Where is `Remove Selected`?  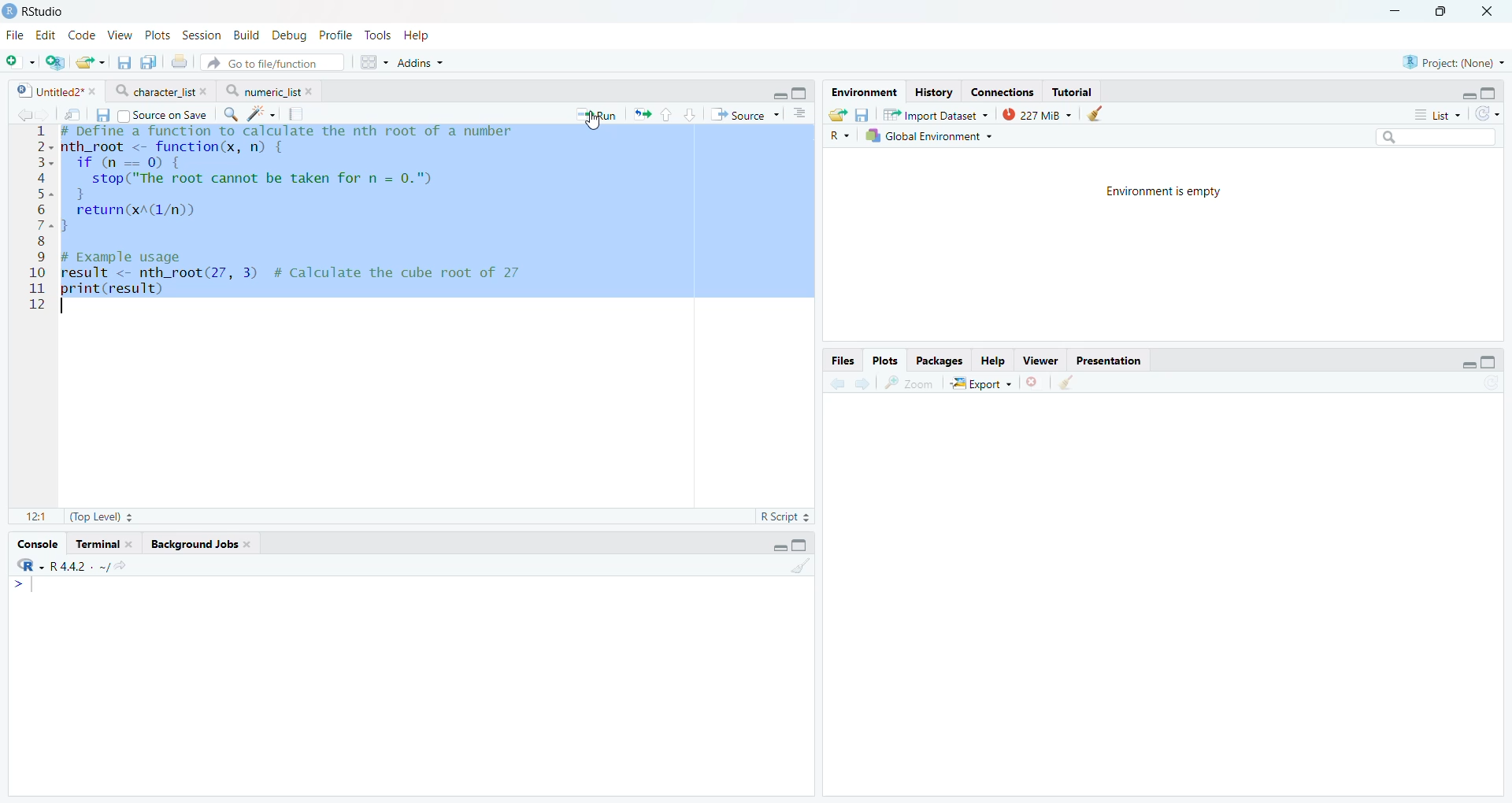 Remove Selected is located at coordinates (1036, 382).